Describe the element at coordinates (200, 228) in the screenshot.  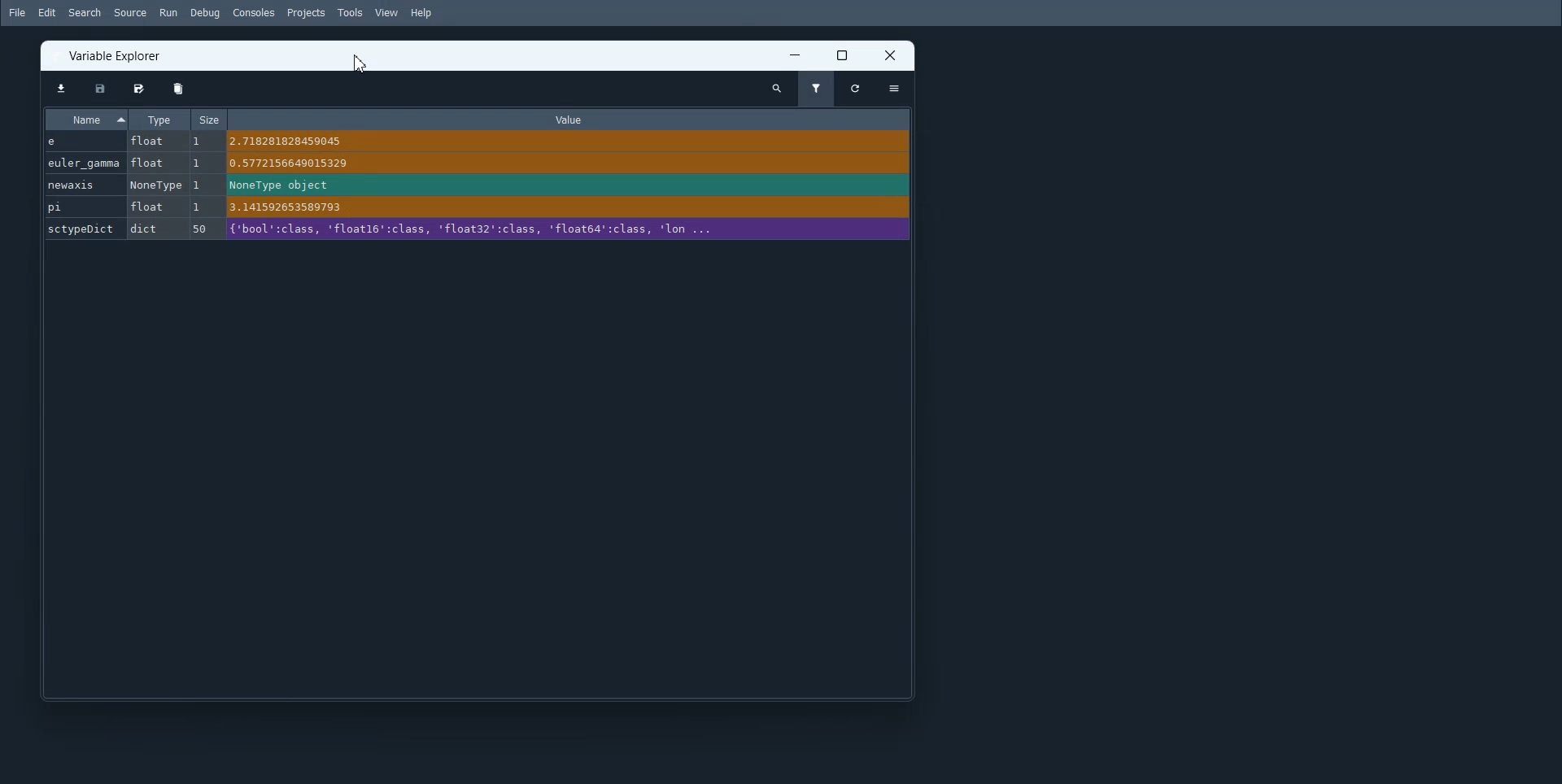
I see `50` at that location.